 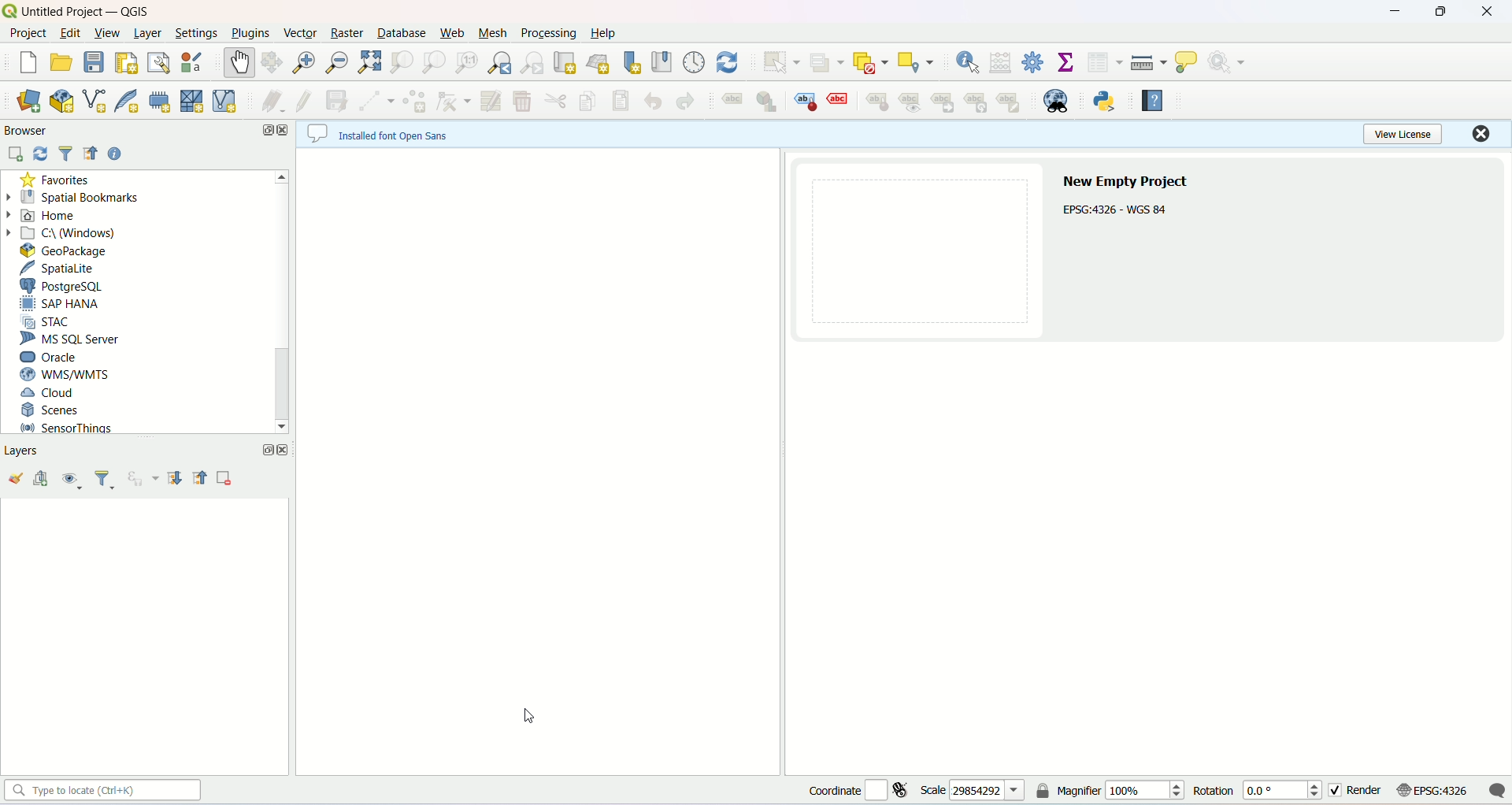 What do you see at coordinates (42, 218) in the screenshot?
I see `home` at bounding box center [42, 218].